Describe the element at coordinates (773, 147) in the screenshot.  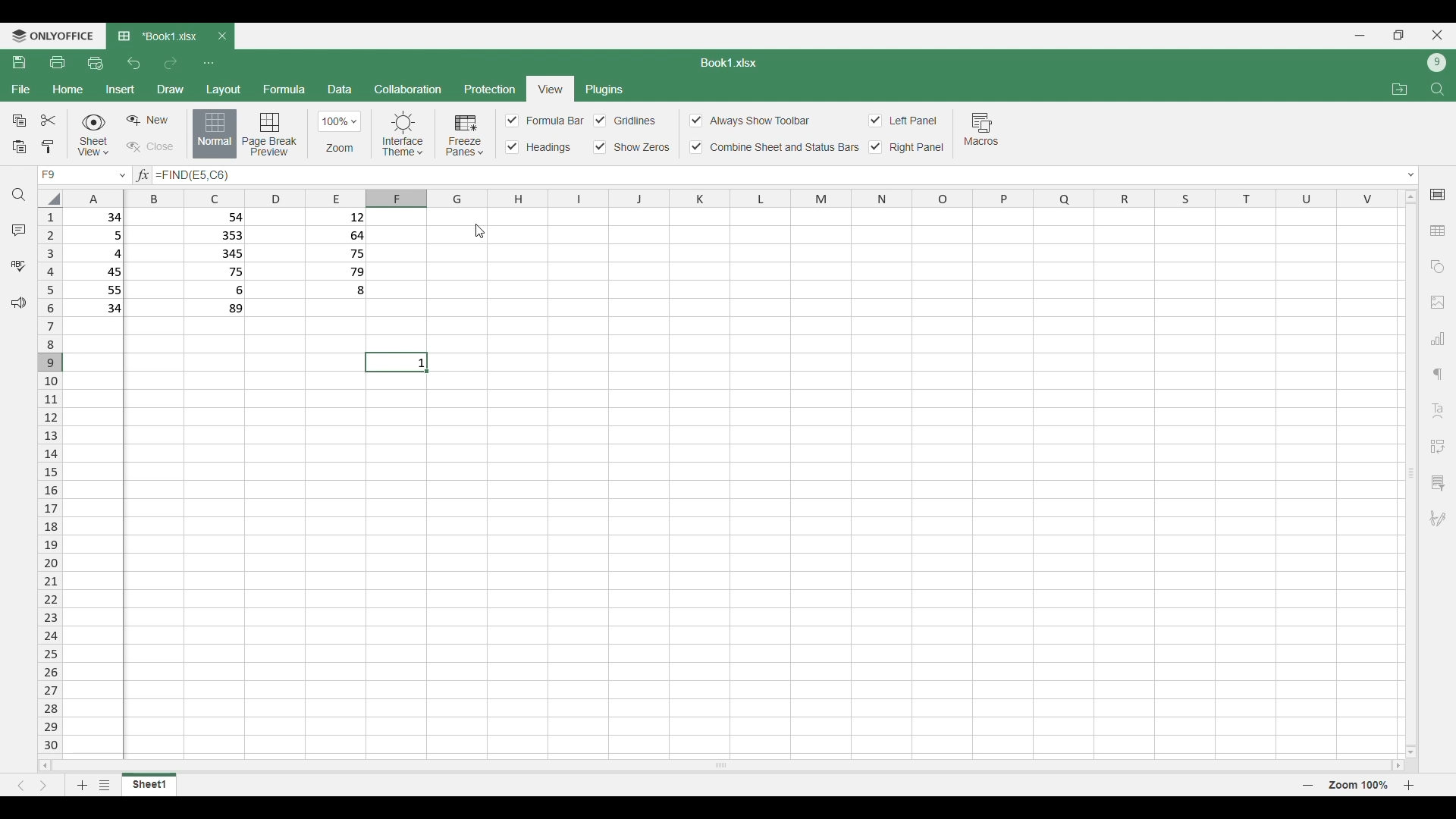
I see `Combine sheet and status bar toggle` at that location.